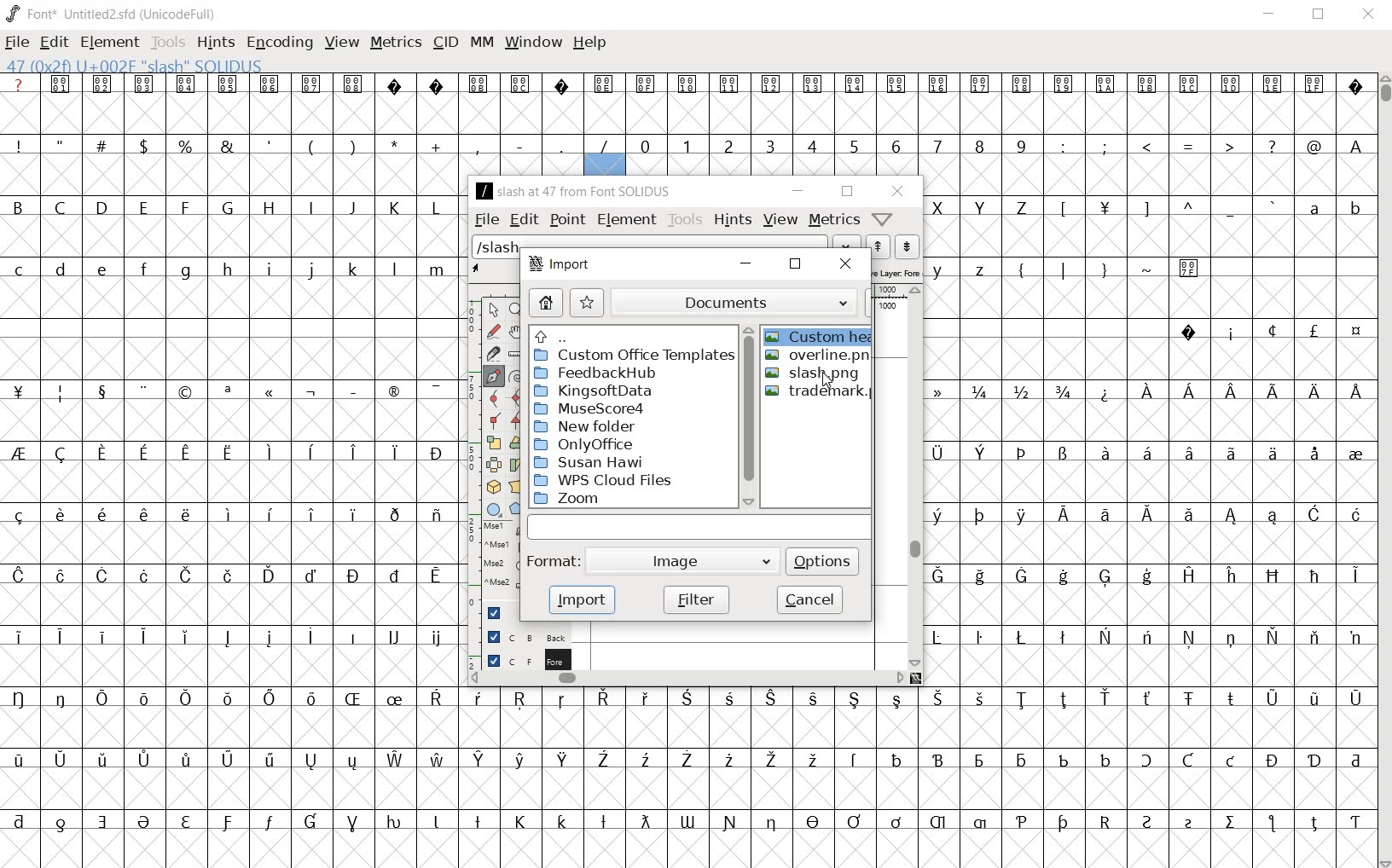 This screenshot has width=1392, height=868. What do you see at coordinates (884, 218) in the screenshot?
I see `Help/Window` at bounding box center [884, 218].